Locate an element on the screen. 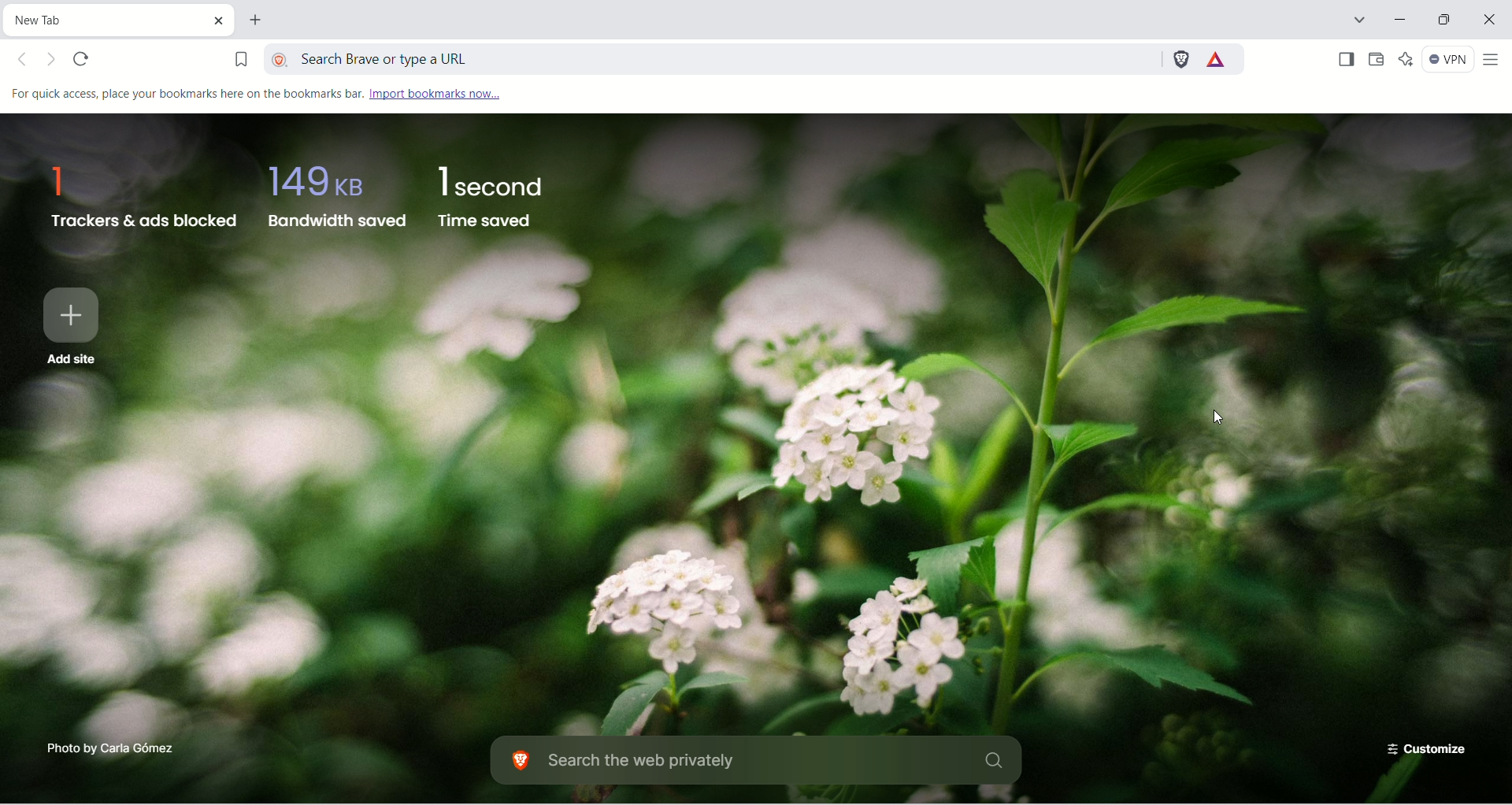 The width and height of the screenshot is (1512, 805). restore is located at coordinates (1443, 20).